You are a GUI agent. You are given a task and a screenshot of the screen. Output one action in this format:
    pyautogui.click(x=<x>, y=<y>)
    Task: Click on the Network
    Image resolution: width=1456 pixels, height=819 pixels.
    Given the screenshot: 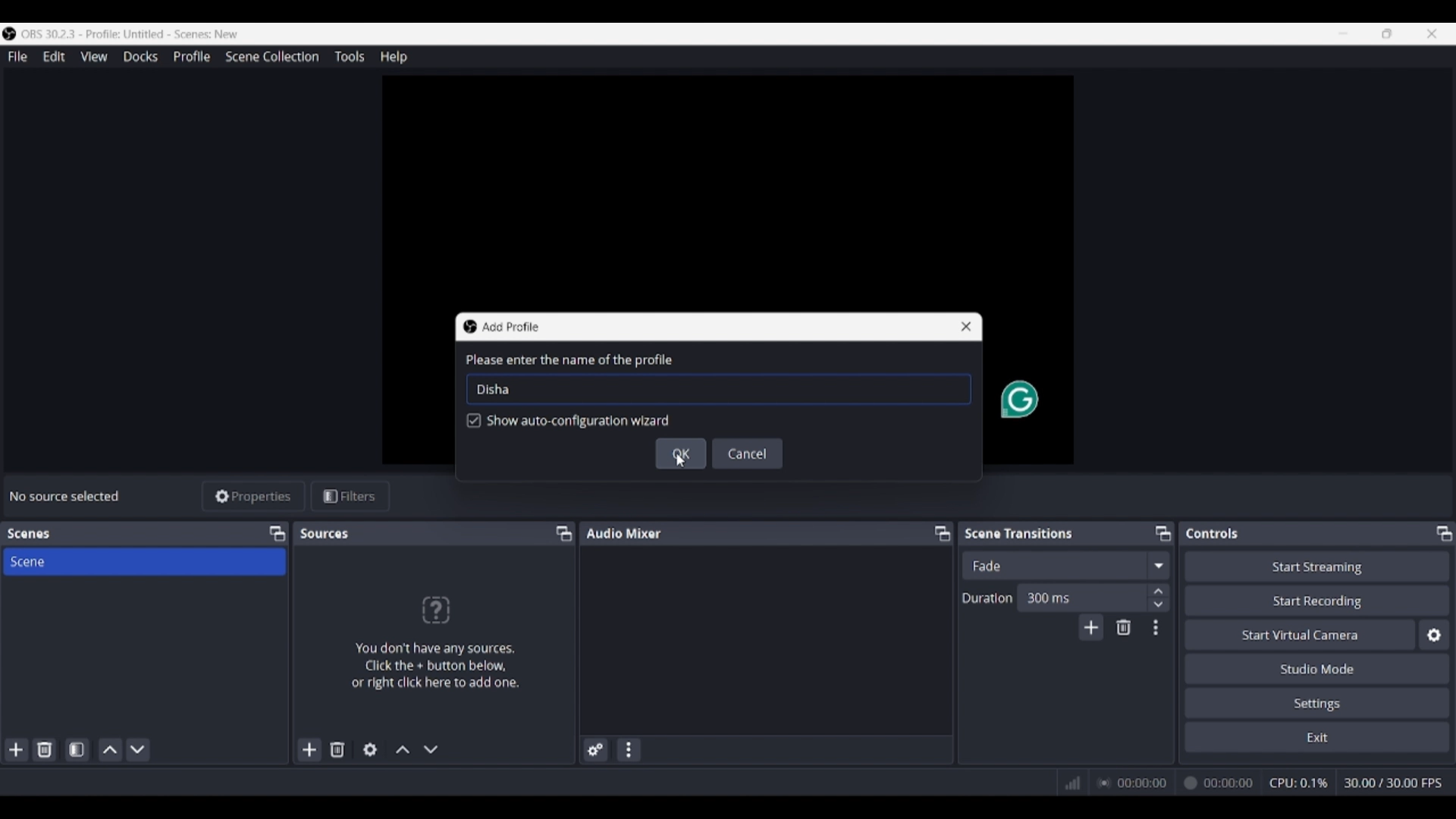 What is the action you would take?
    pyautogui.click(x=1067, y=781)
    